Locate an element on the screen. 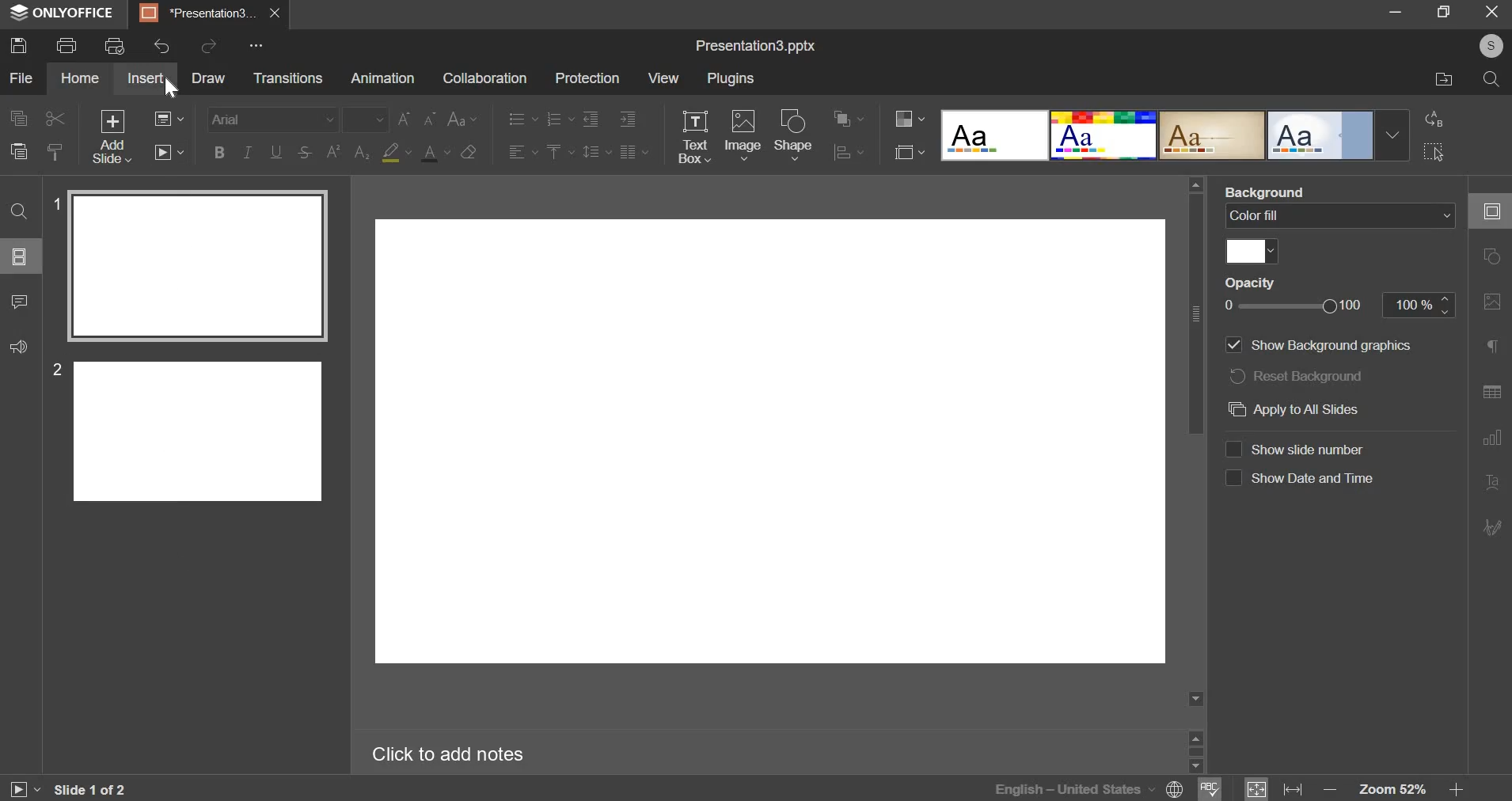  Scroll up is located at coordinates (1195, 184).